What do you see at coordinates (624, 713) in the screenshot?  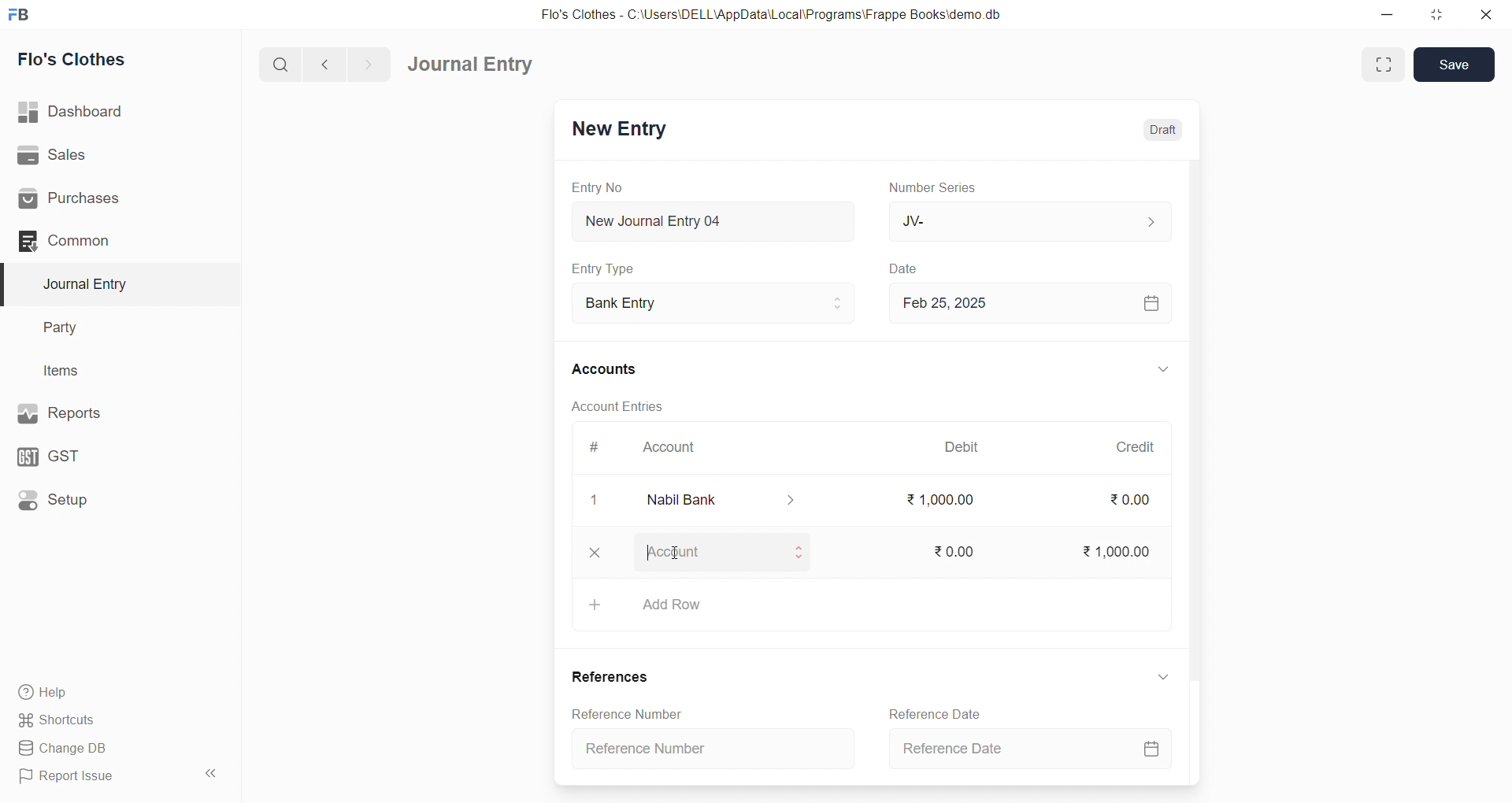 I see `Reference Number` at bounding box center [624, 713].